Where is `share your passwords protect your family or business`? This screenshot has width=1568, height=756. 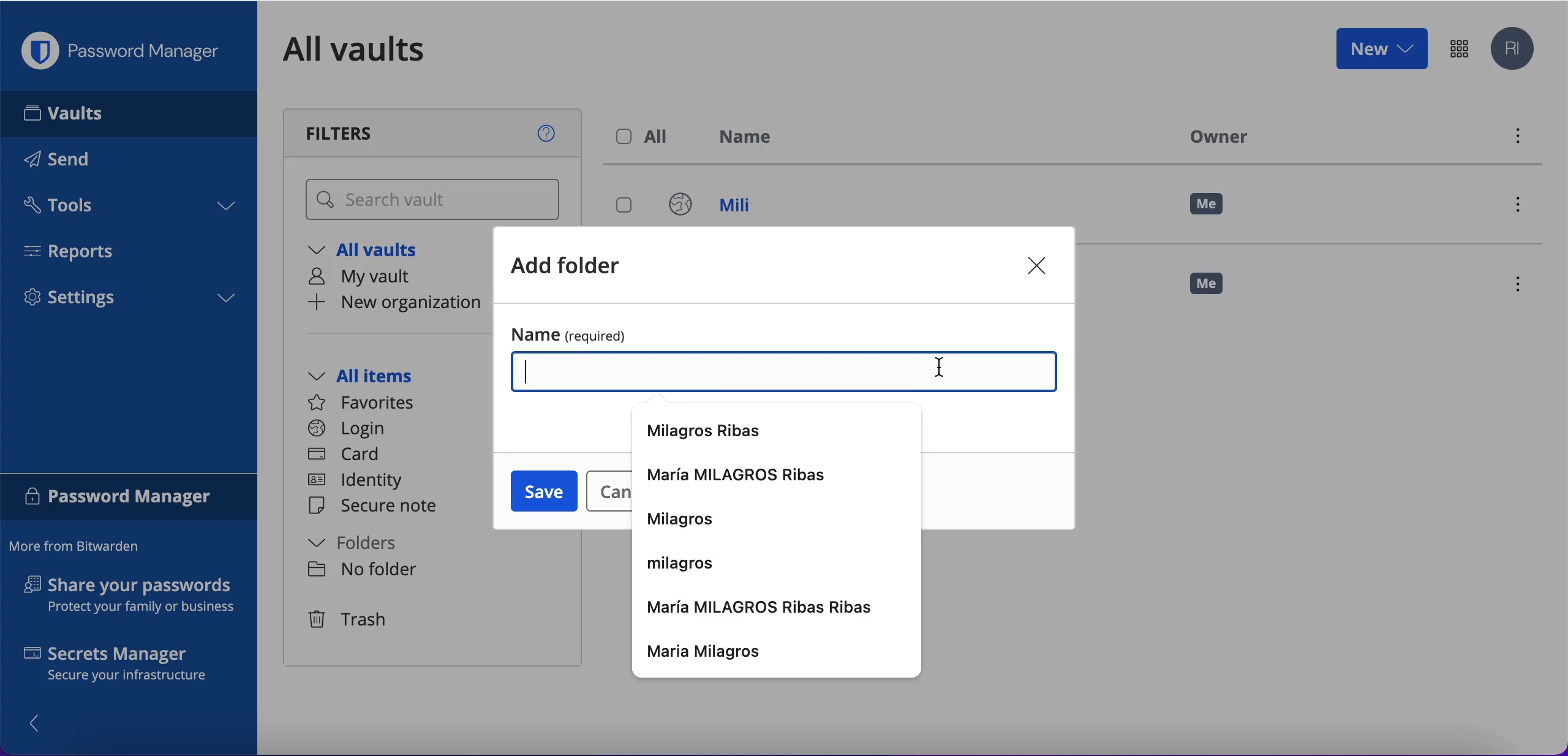
share your passwords protect your family or business is located at coordinates (136, 597).